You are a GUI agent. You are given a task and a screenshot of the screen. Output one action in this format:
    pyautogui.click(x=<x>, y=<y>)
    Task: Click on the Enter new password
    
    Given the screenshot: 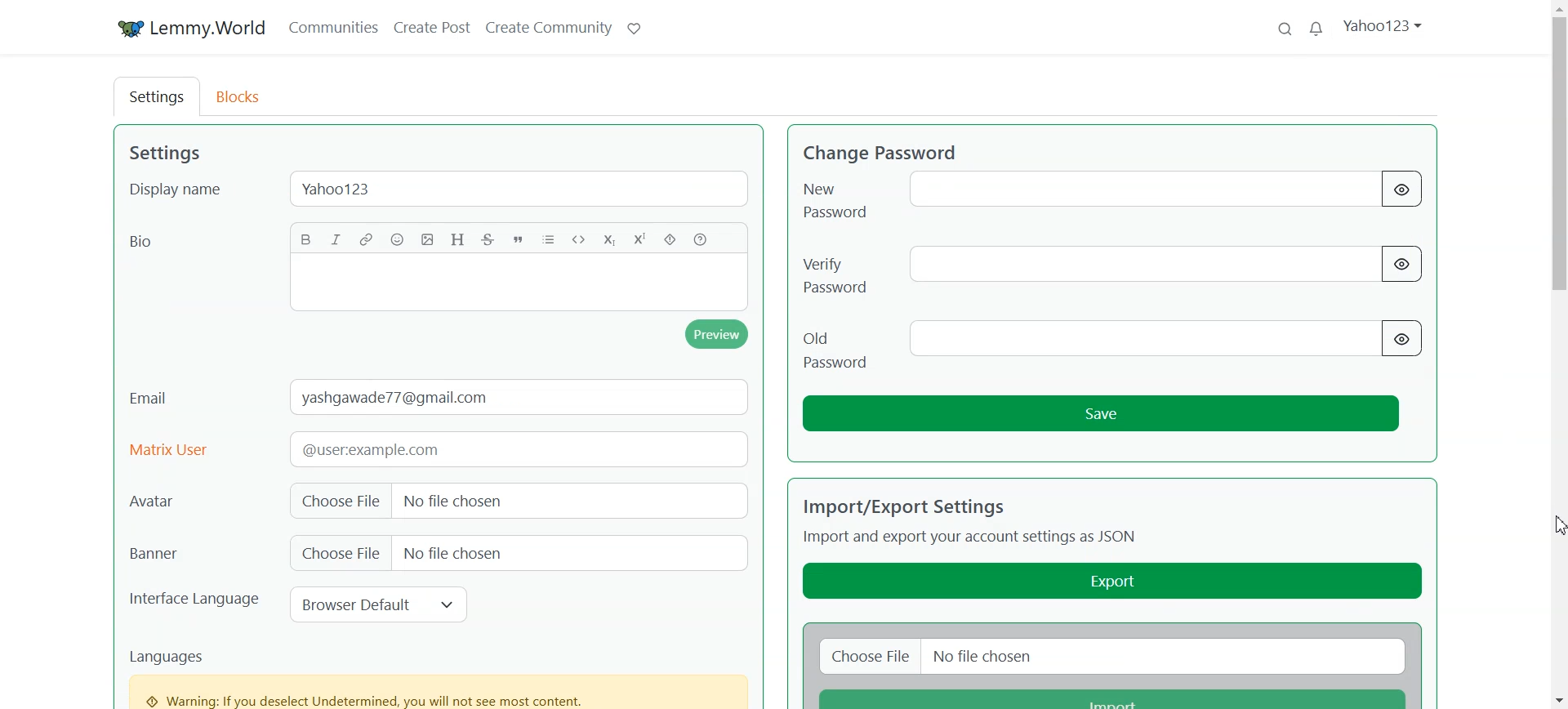 What is the action you would take?
    pyautogui.click(x=1131, y=190)
    